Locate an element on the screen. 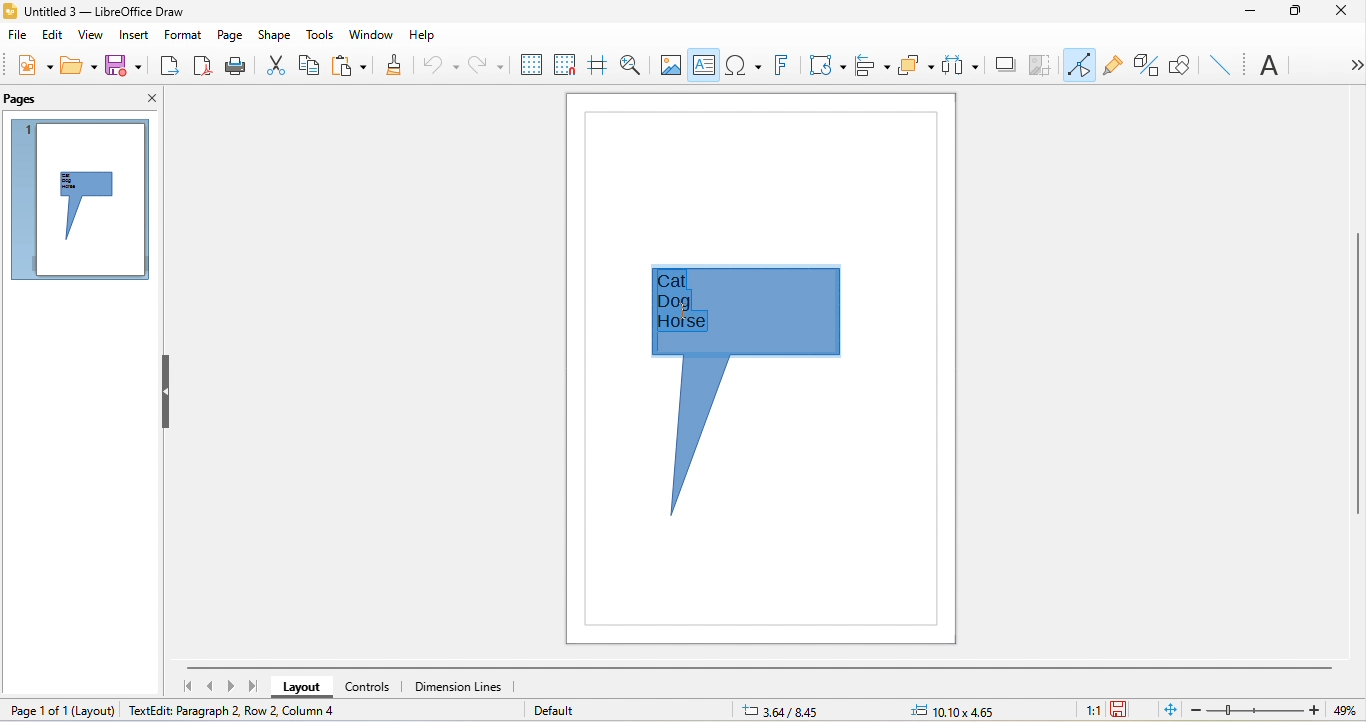 The image size is (1366, 722). crop image is located at coordinates (1042, 66).